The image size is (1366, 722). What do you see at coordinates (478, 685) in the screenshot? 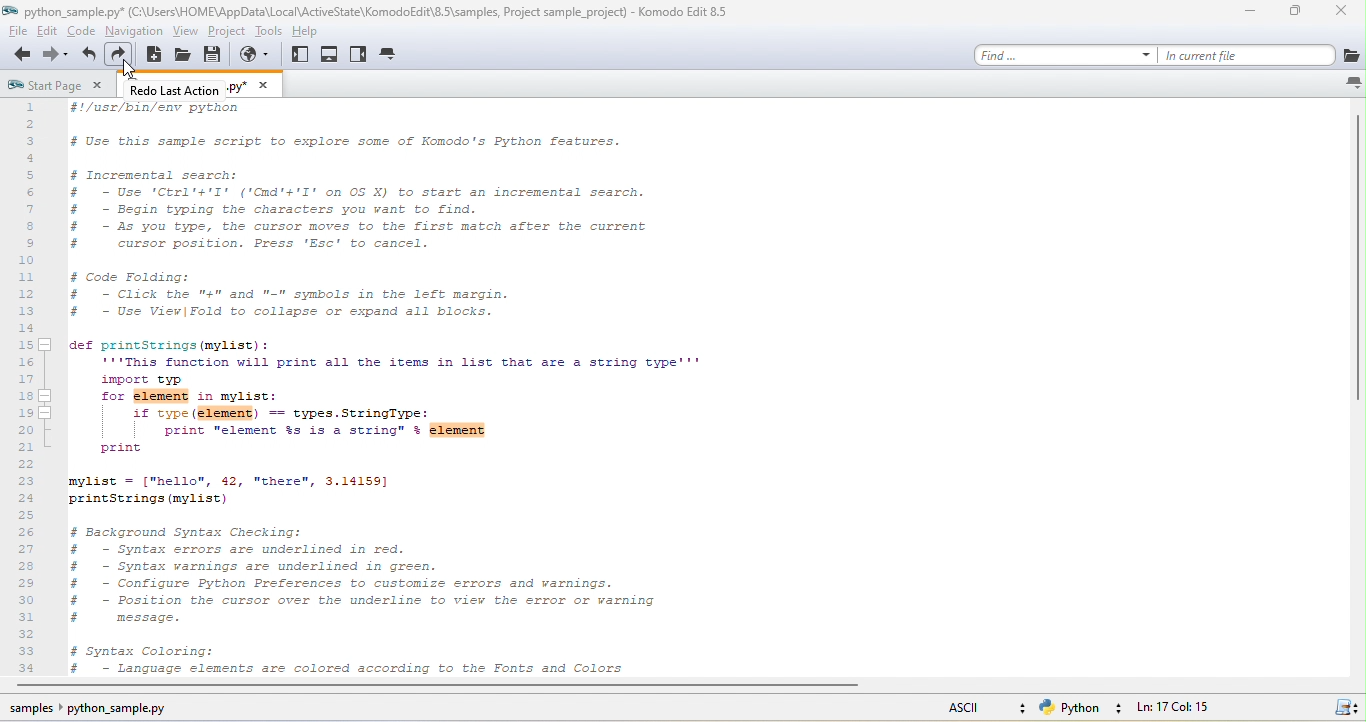
I see `horizontal scroll bar` at bounding box center [478, 685].